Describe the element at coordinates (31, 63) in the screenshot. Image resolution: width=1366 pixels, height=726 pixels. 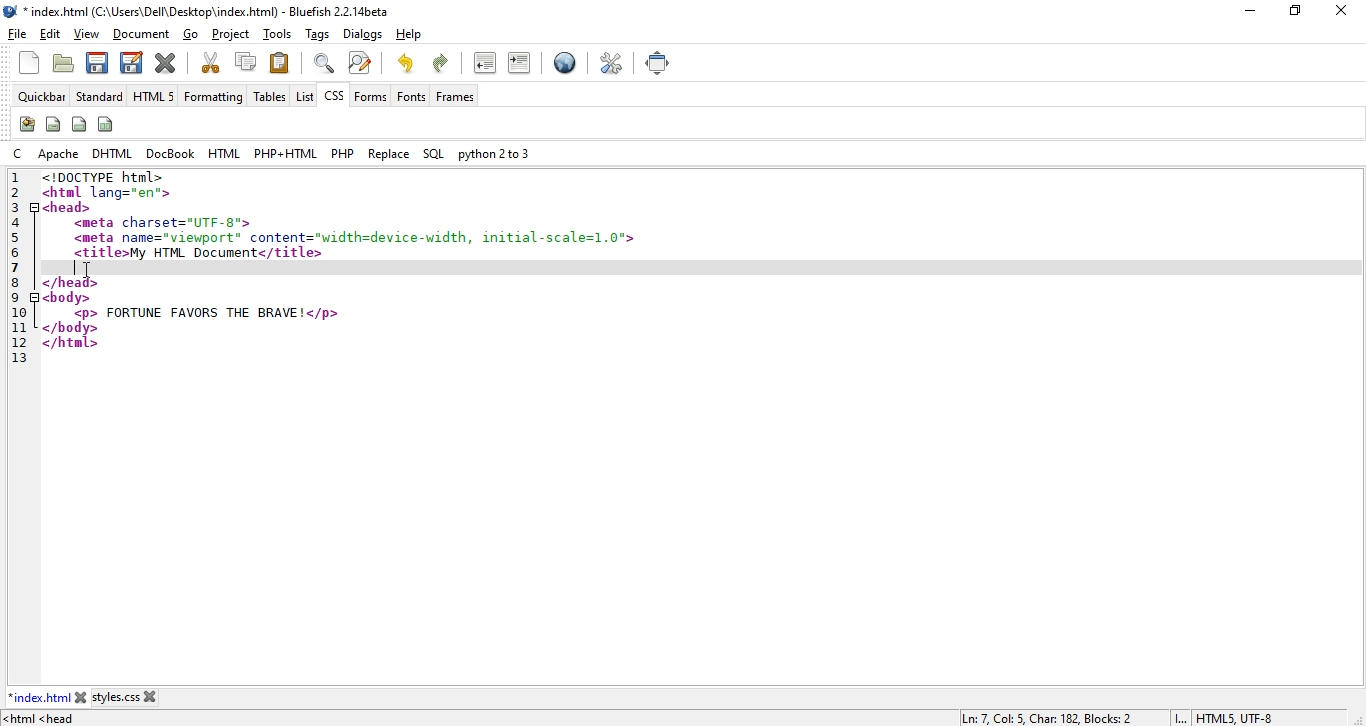
I see `new file` at that location.